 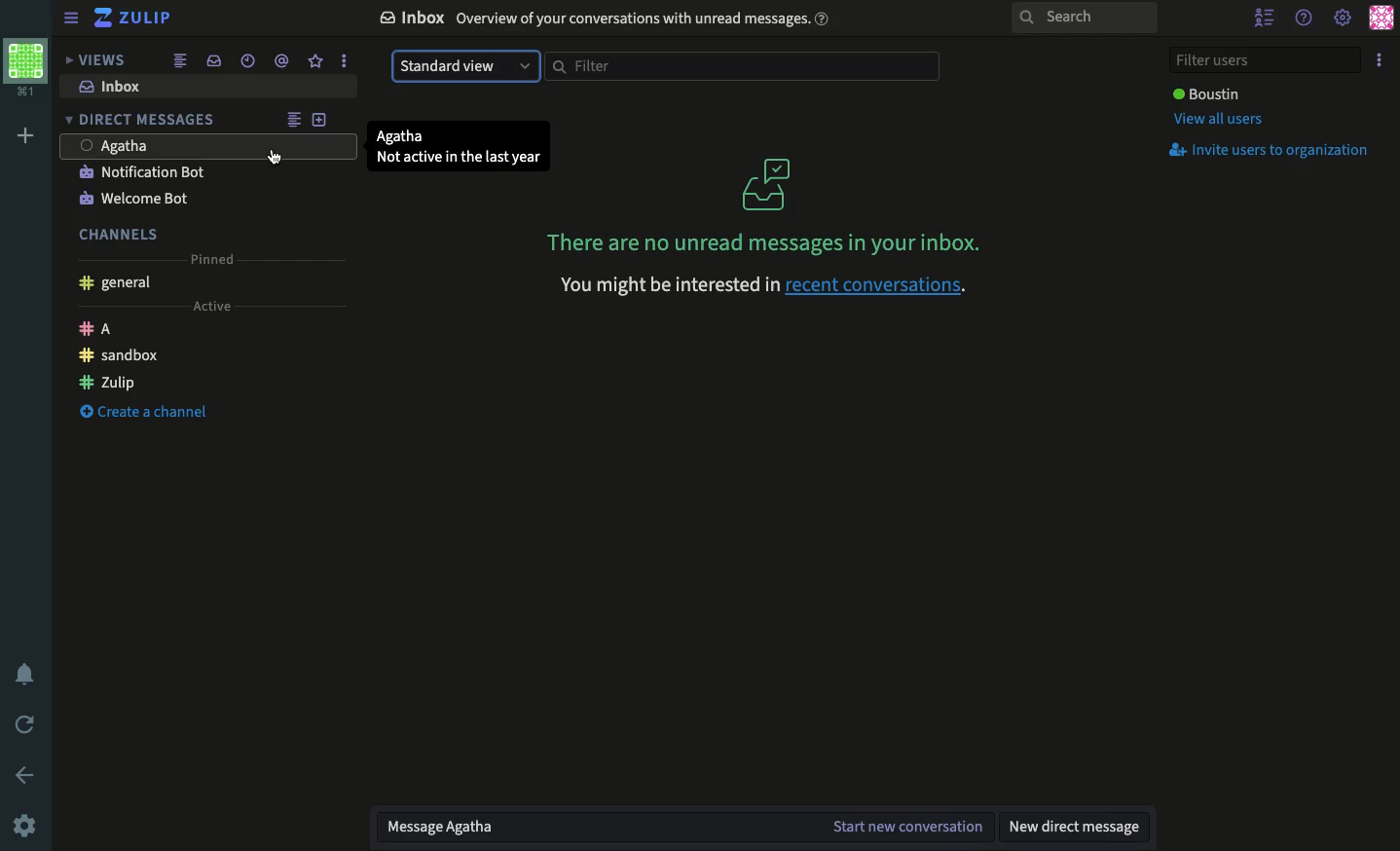 I want to click on Settings, so click(x=1344, y=19).